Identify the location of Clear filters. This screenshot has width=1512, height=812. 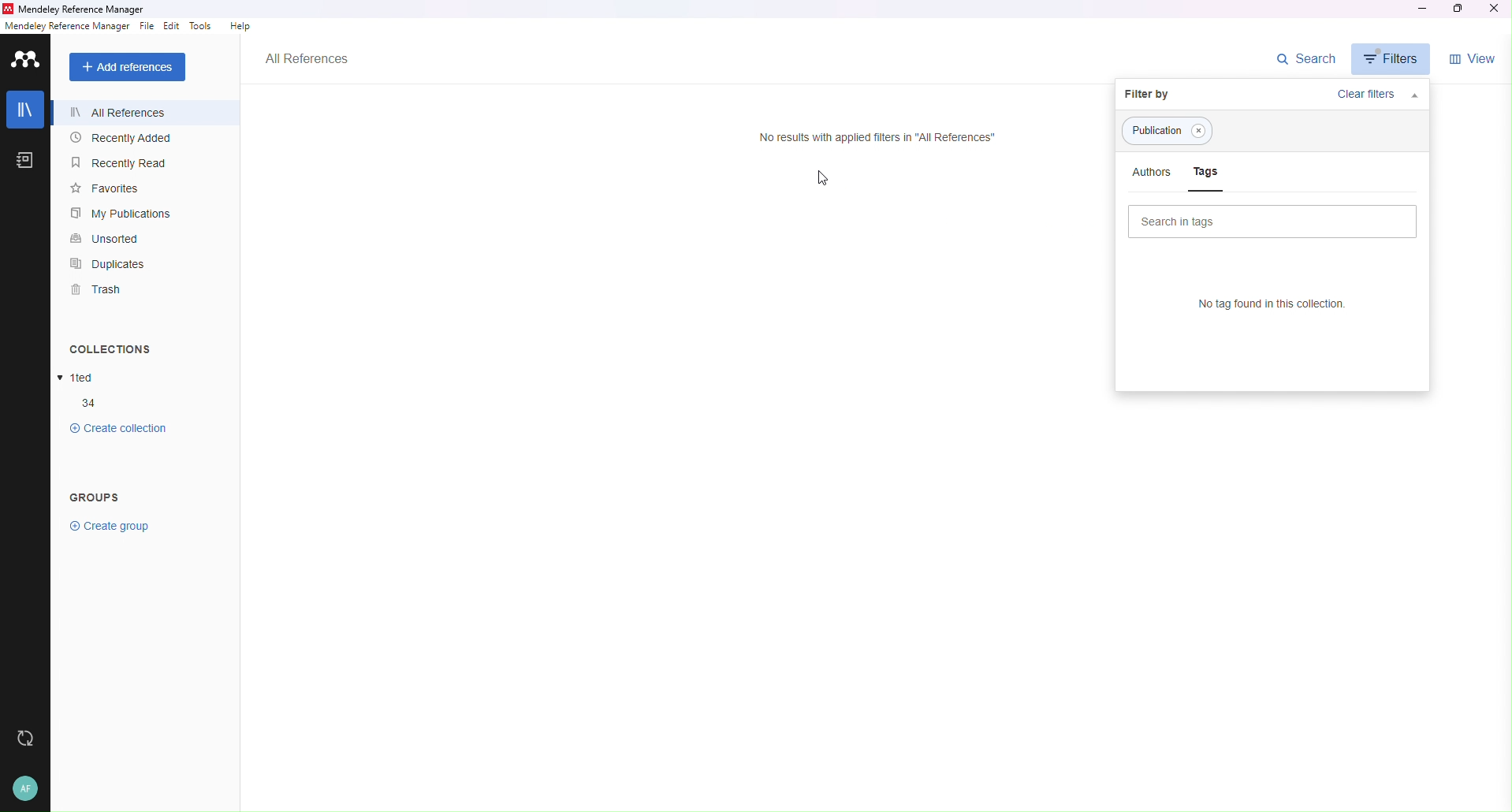
(1348, 93).